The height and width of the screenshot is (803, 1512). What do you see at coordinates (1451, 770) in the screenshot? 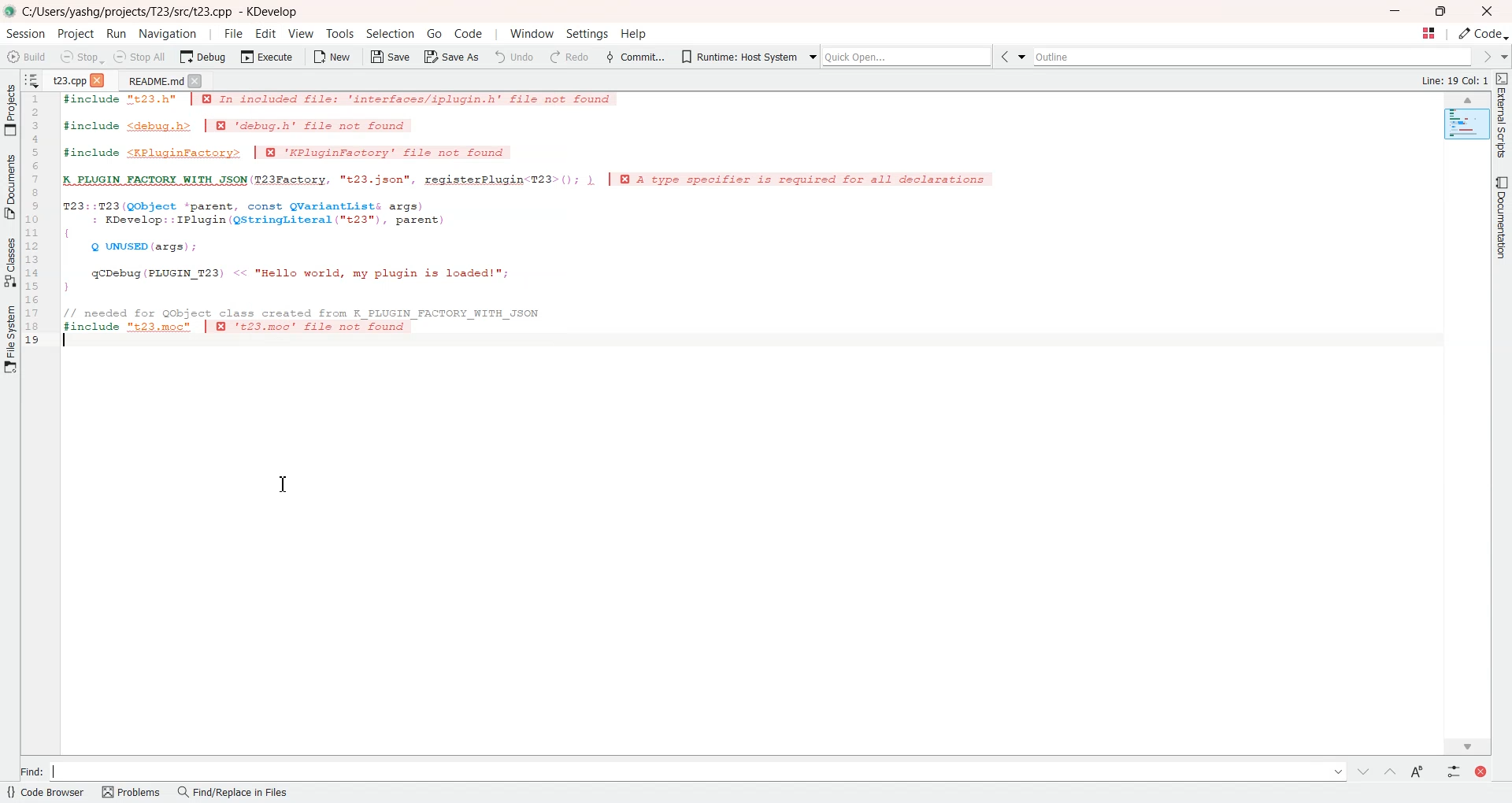
I see `Switch to power search and replace bar ` at bounding box center [1451, 770].